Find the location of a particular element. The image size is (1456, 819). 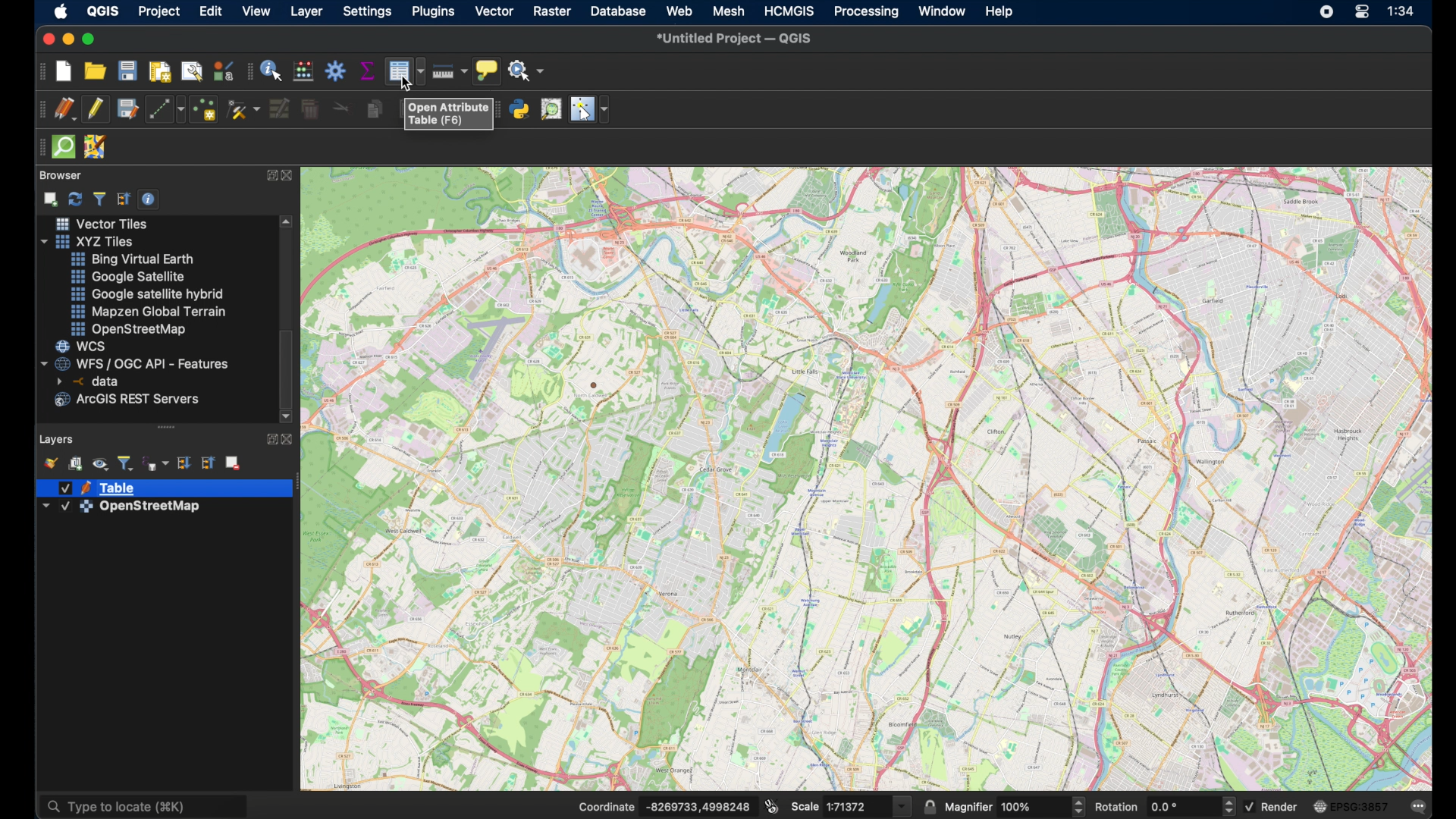

maximize is located at coordinates (92, 39).